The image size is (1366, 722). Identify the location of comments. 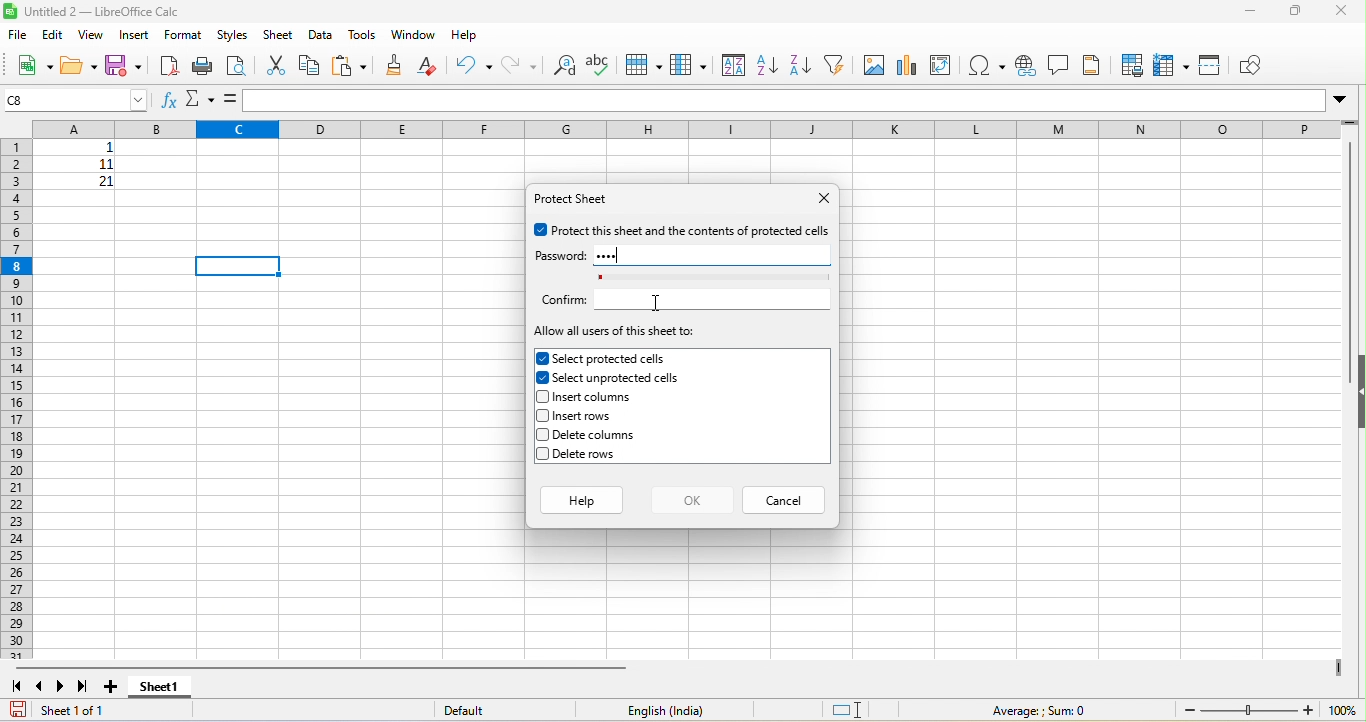
(1059, 64).